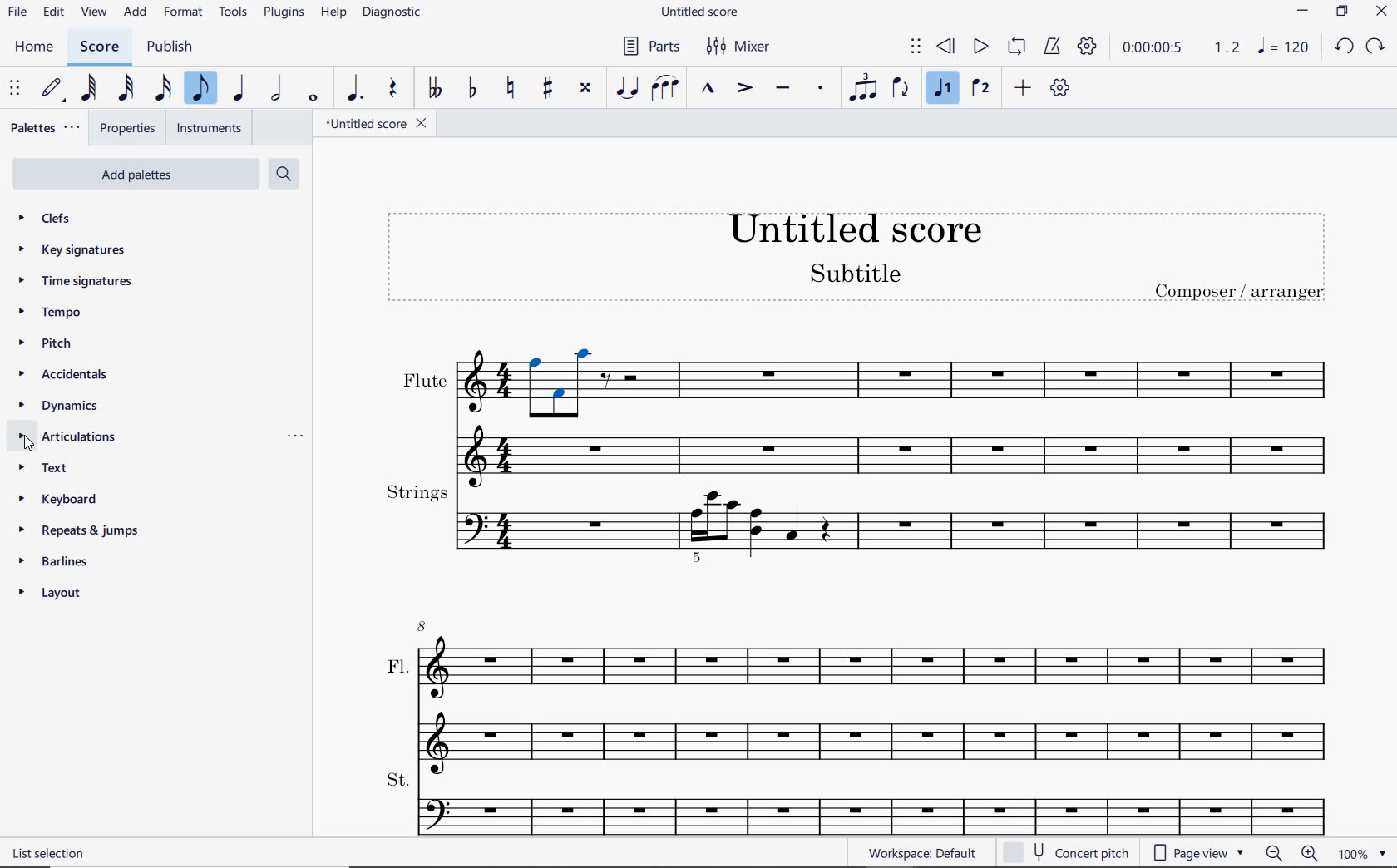  Describe the element at coordinates (709, 89) in the screenshot. I see `MARCATO` at that location.